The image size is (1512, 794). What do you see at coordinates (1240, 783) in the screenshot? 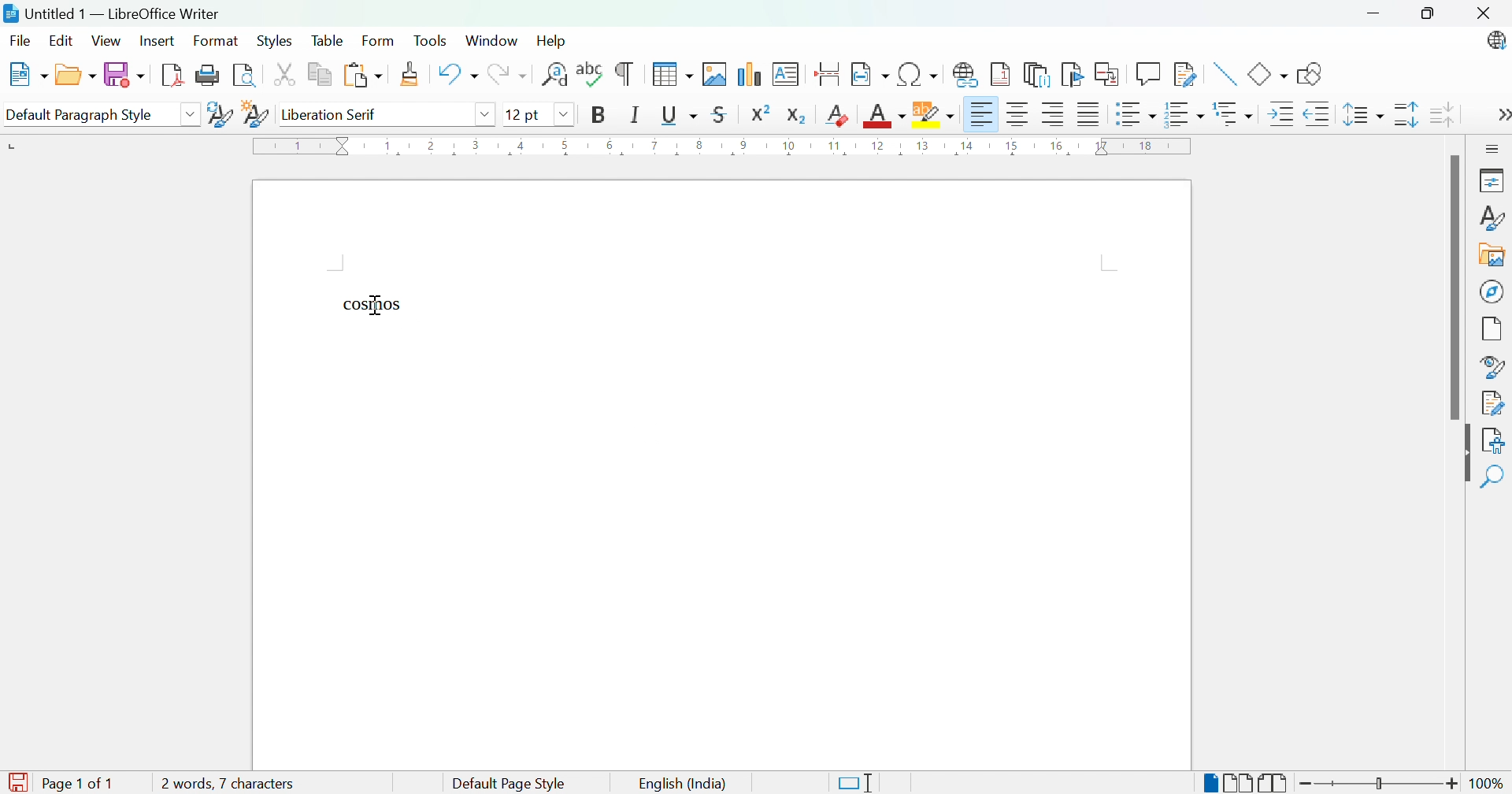
I see `Multiple-page view` at bounding box center [1240, 783].